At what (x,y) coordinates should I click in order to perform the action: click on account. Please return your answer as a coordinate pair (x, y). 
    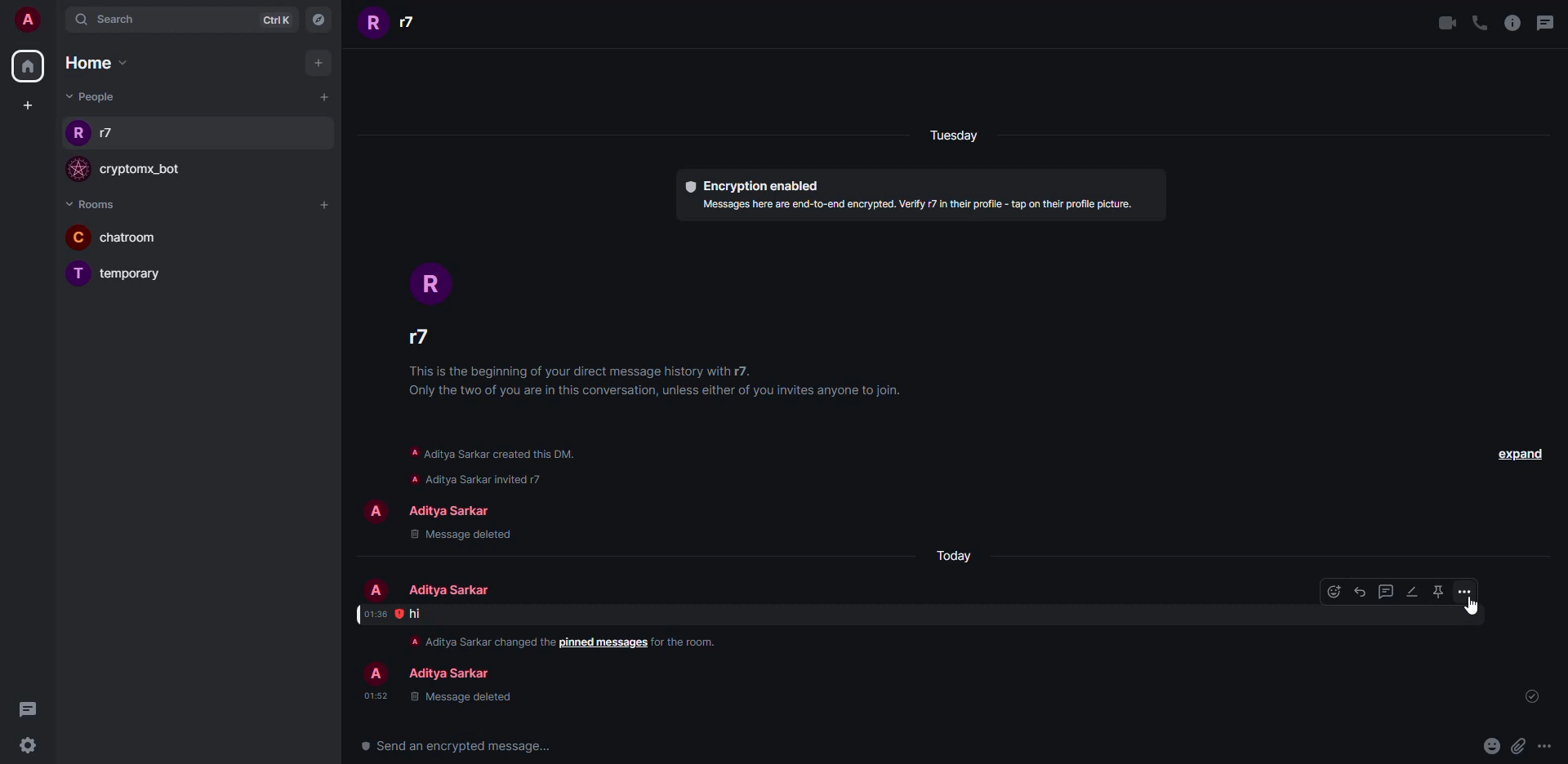
    Looking at the image, I should click on (29, 20).